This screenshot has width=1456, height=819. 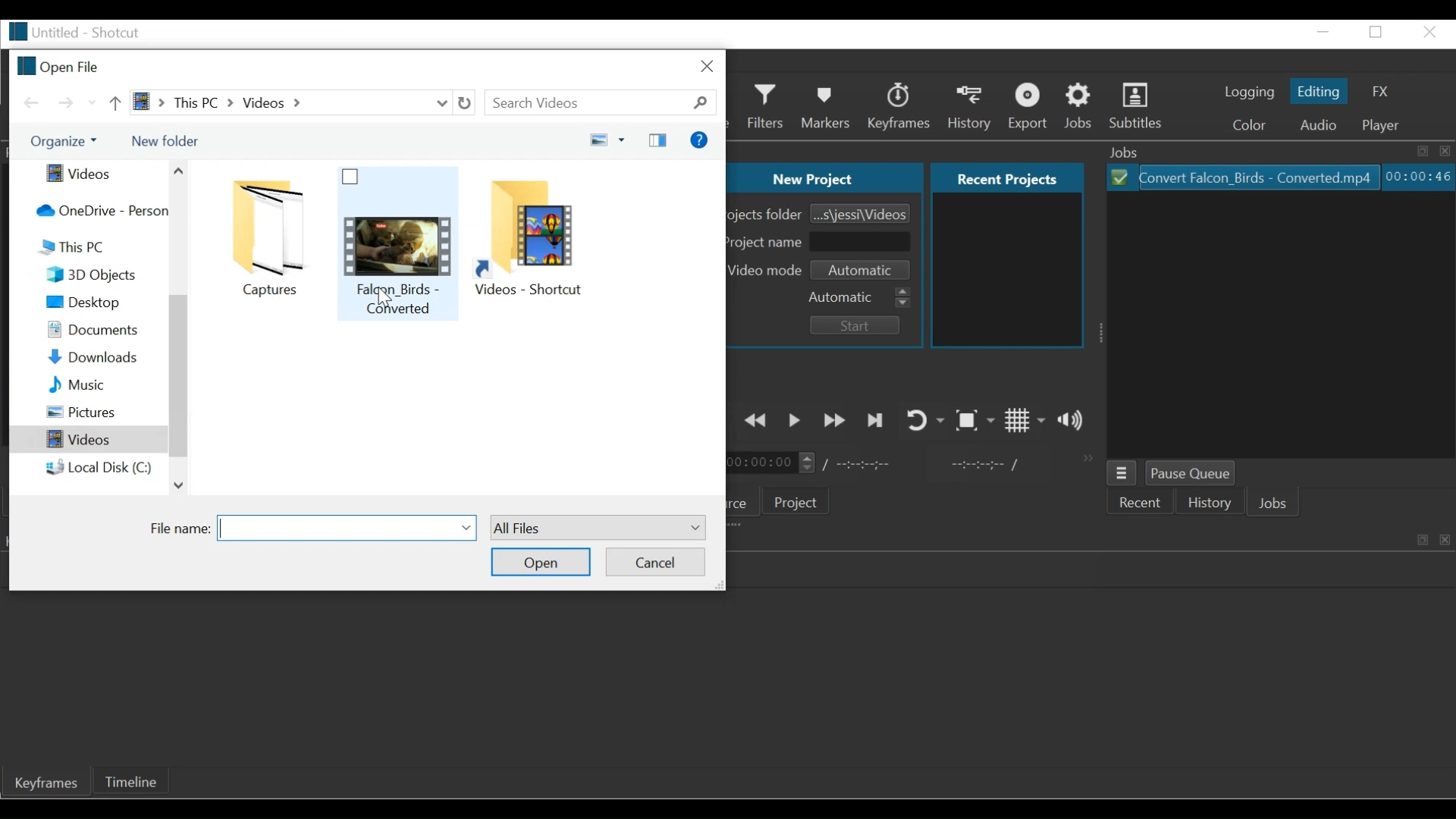 I want to click on Help, so click(x=699, y=140).